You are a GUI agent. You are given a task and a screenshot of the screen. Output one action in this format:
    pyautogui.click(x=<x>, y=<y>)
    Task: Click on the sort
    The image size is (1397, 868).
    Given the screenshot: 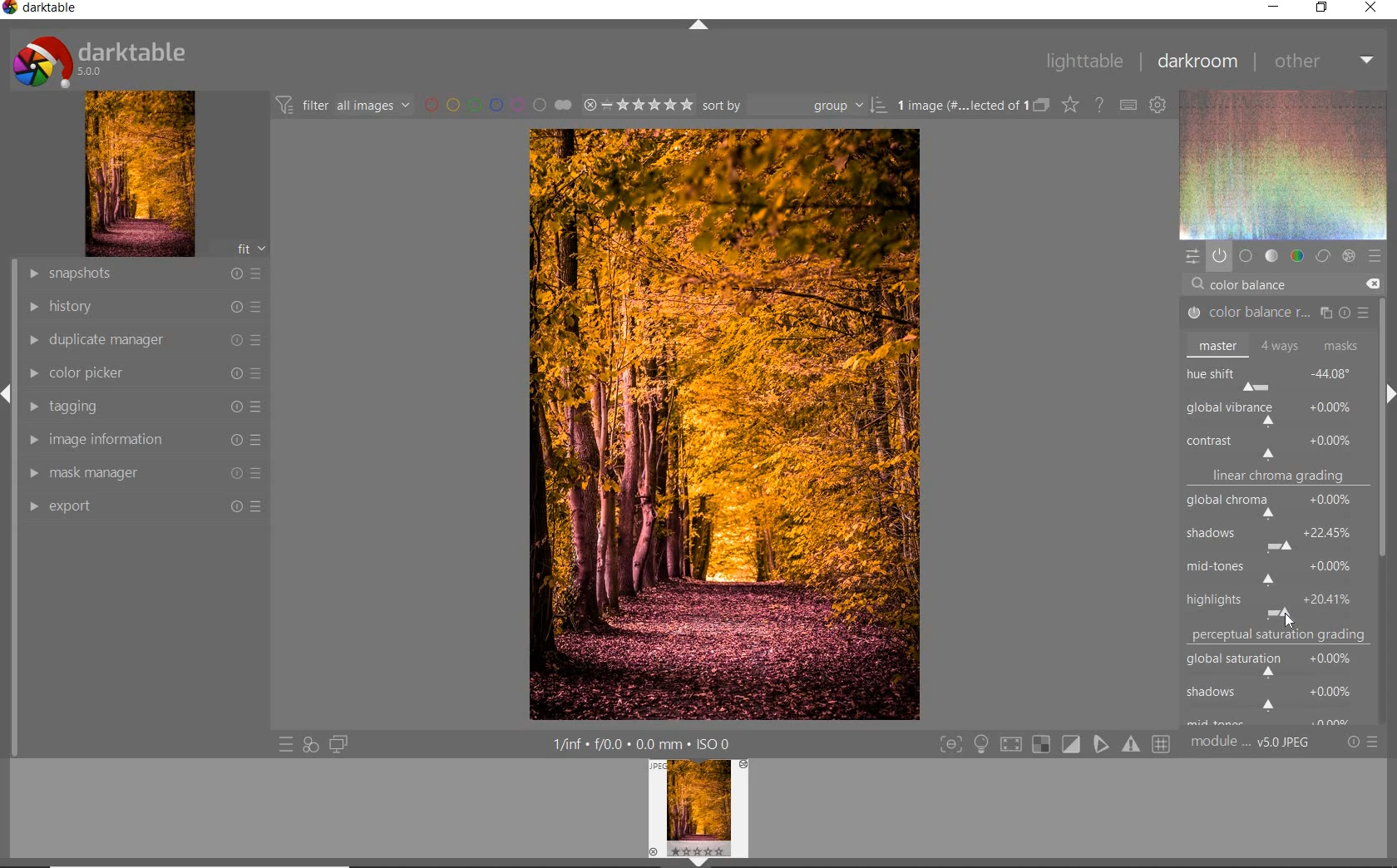 What is the action you would take?
    pyautogui.click(x=794, y=106)
    